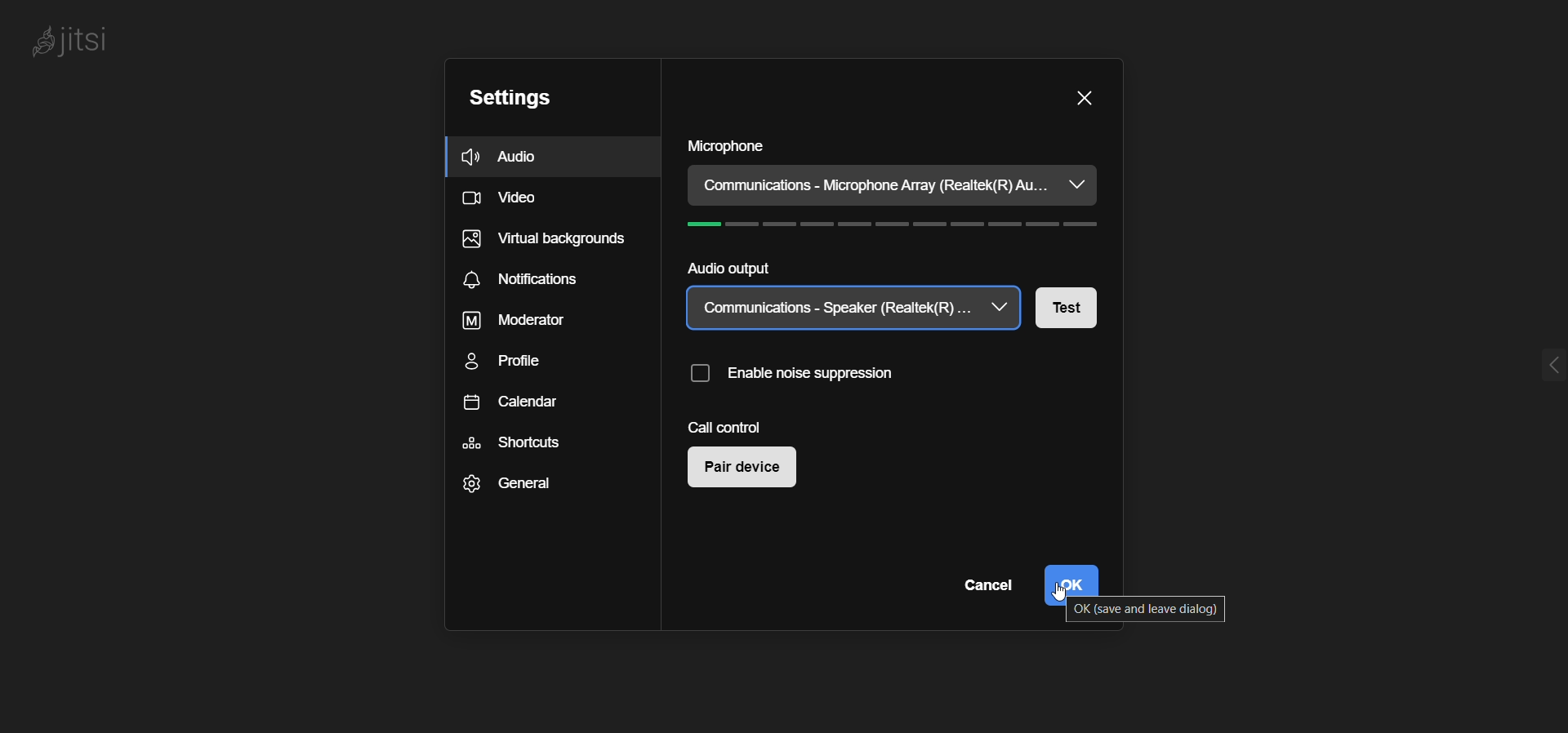 The height and width of the screenshot is (733, 1568). What do you see at coordinates (1147, 611) in the screenshot?
I see `ok(save and leave dialog)` at bounding box center [1147, 611].